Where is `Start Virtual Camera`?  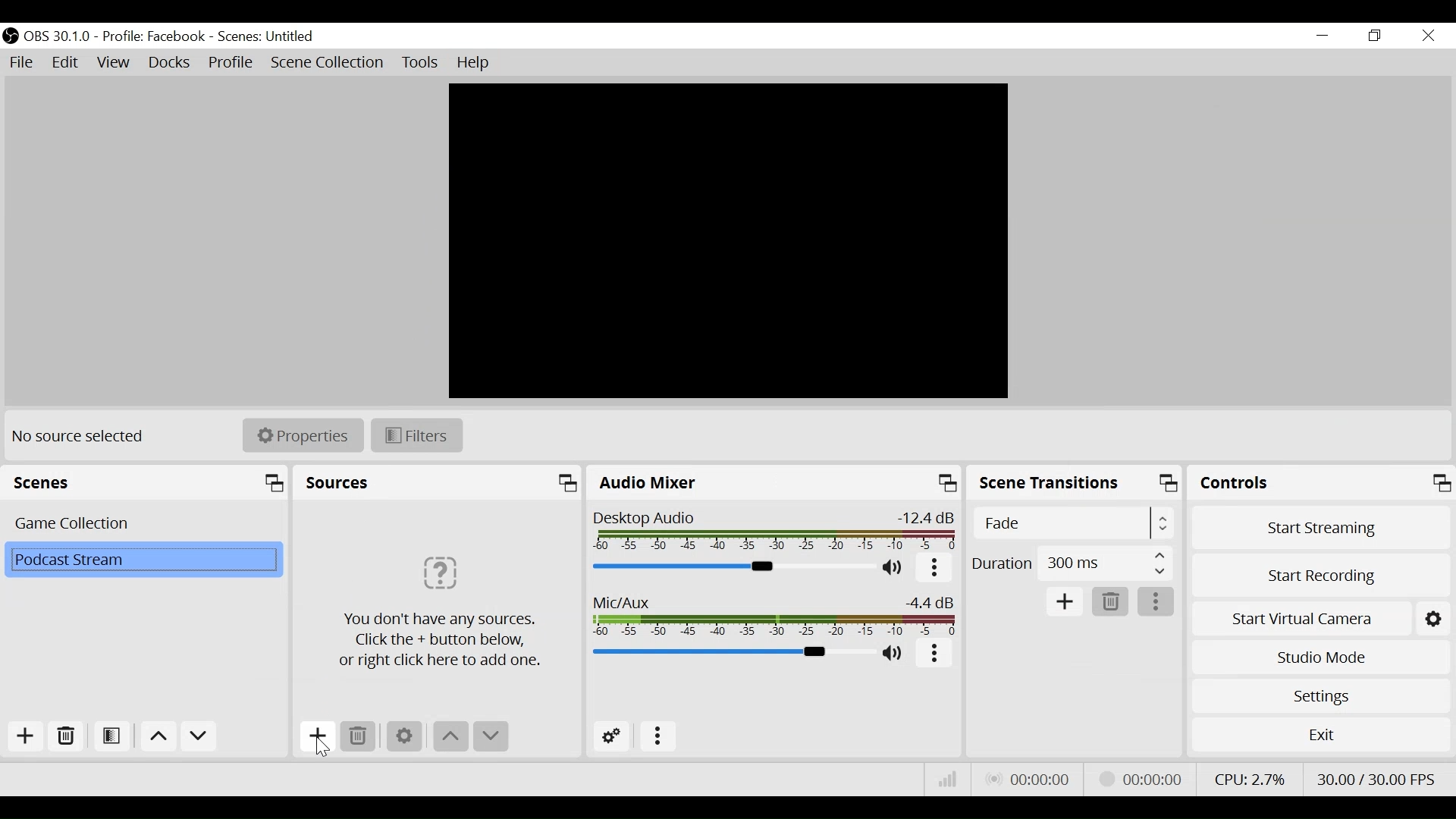
Start Virtual Camera is located at coordinates (1318, 618).